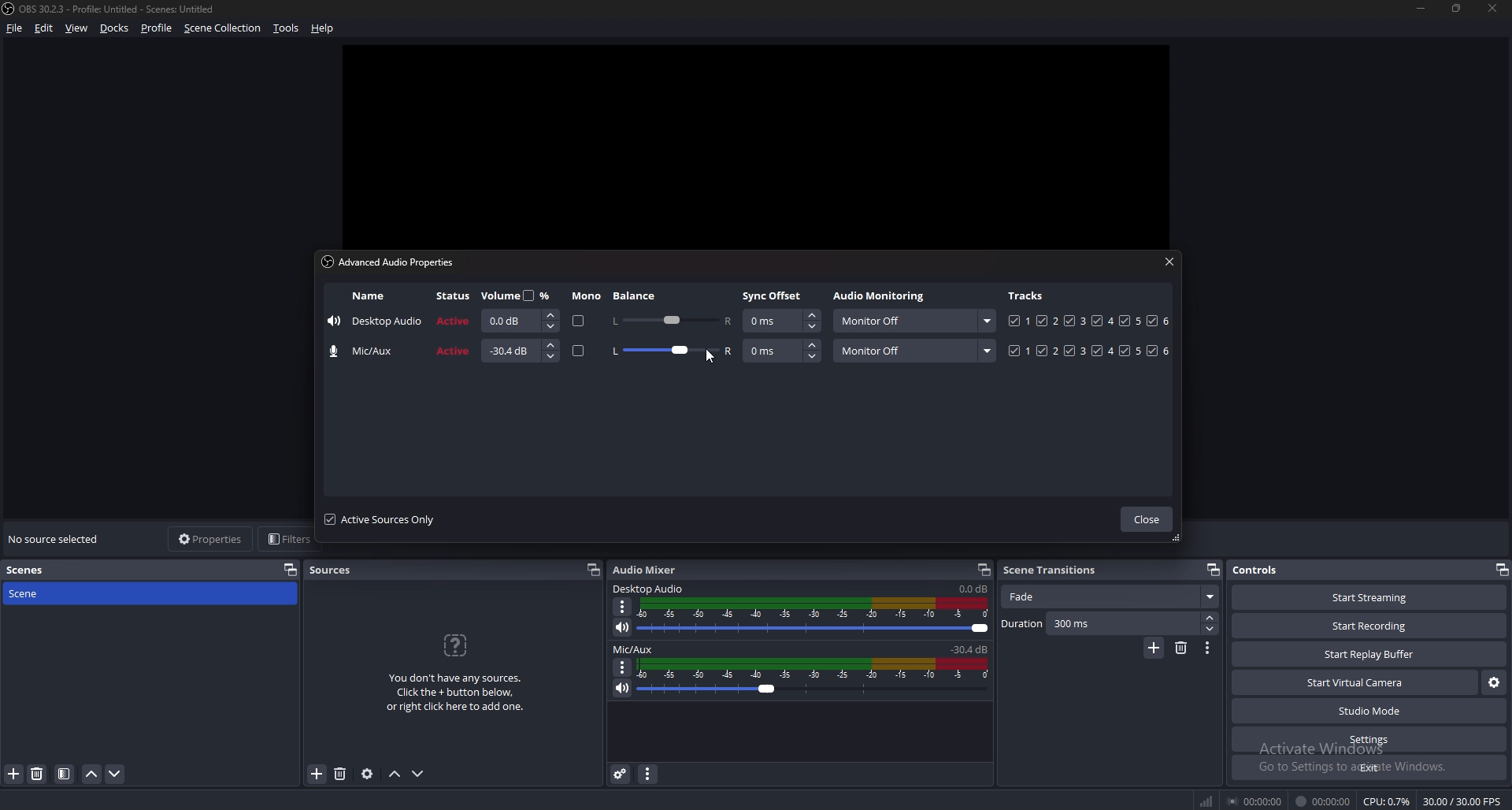 Image resolution: width=1512 pixels, height=810 pixels. I want to click on pop out, so click(595, 570).